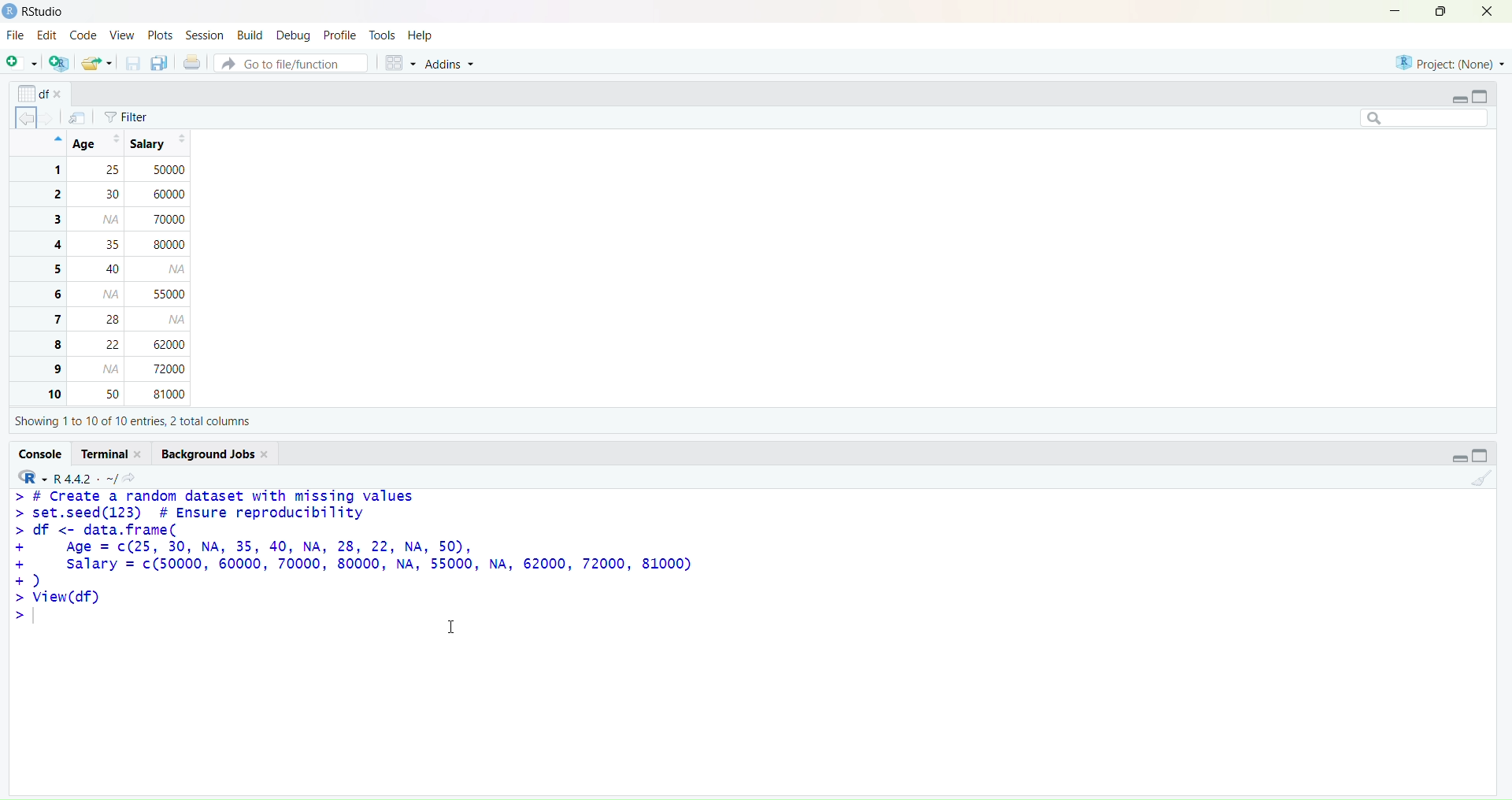  Describe the element at coordinates (129, 420) in the screenshot. I see `Showing 1 to 10 of 10 entries, 2 total columns` at that location.